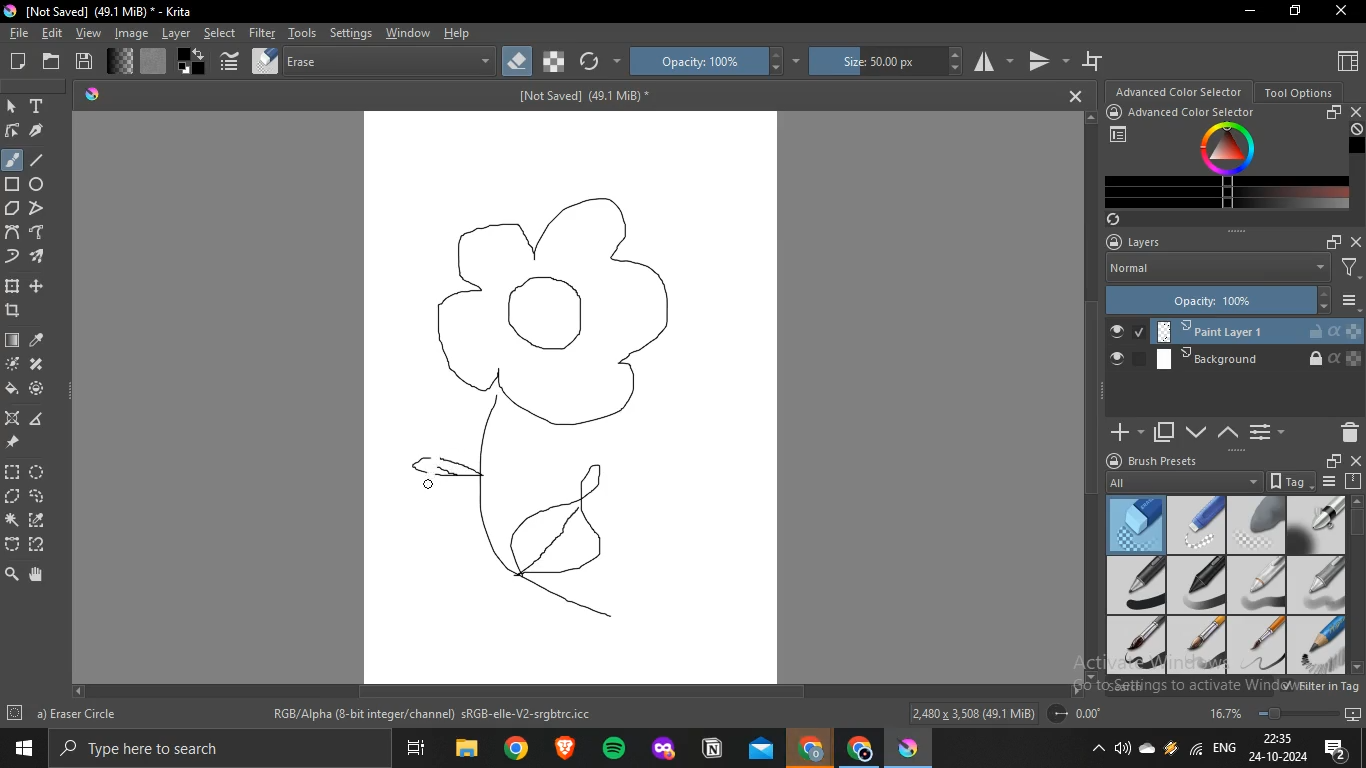 The height and width of the screenshot is (768, 1366). I want to click on Minimize, so click(1252, 12).